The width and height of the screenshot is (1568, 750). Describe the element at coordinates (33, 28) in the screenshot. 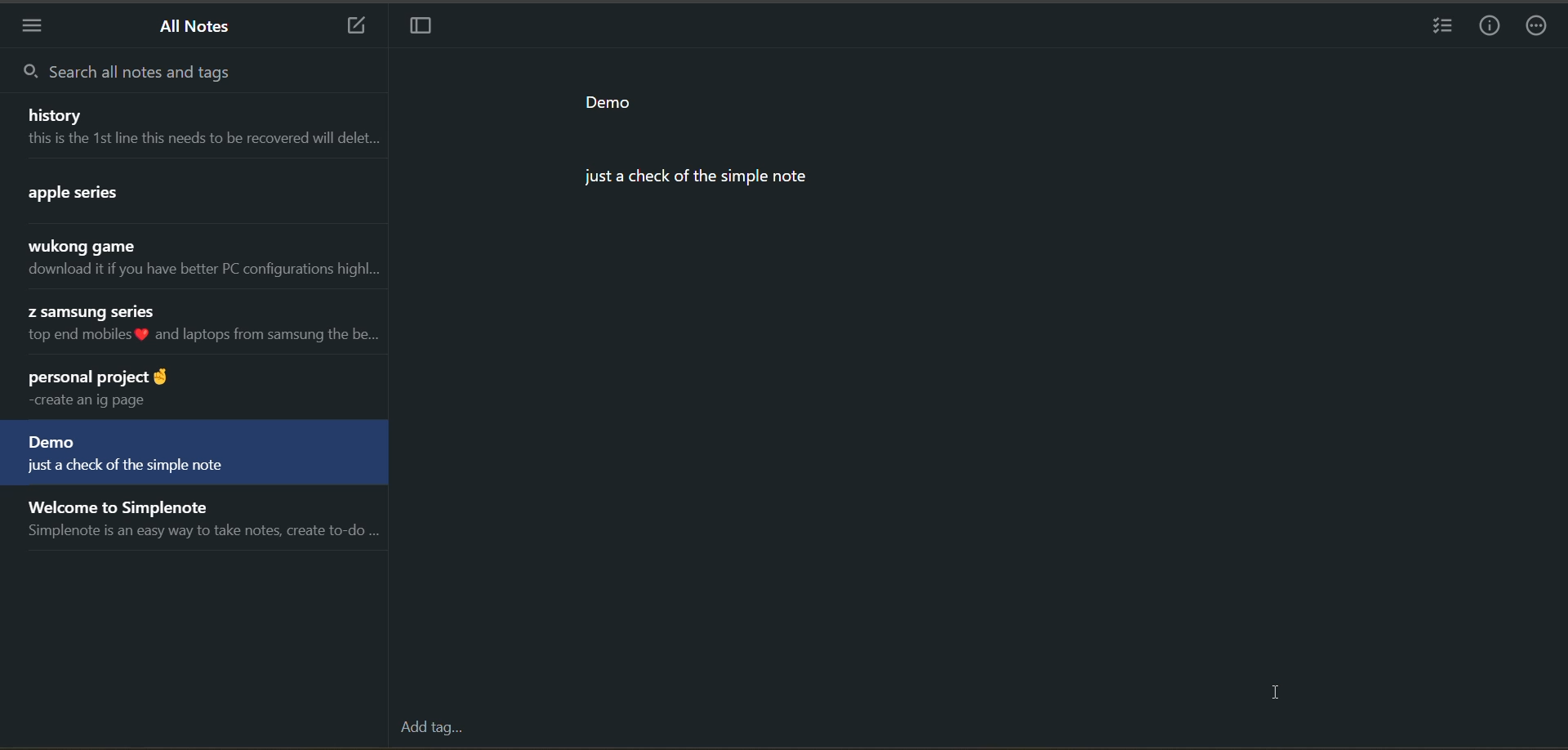

I see `menu` at that location.